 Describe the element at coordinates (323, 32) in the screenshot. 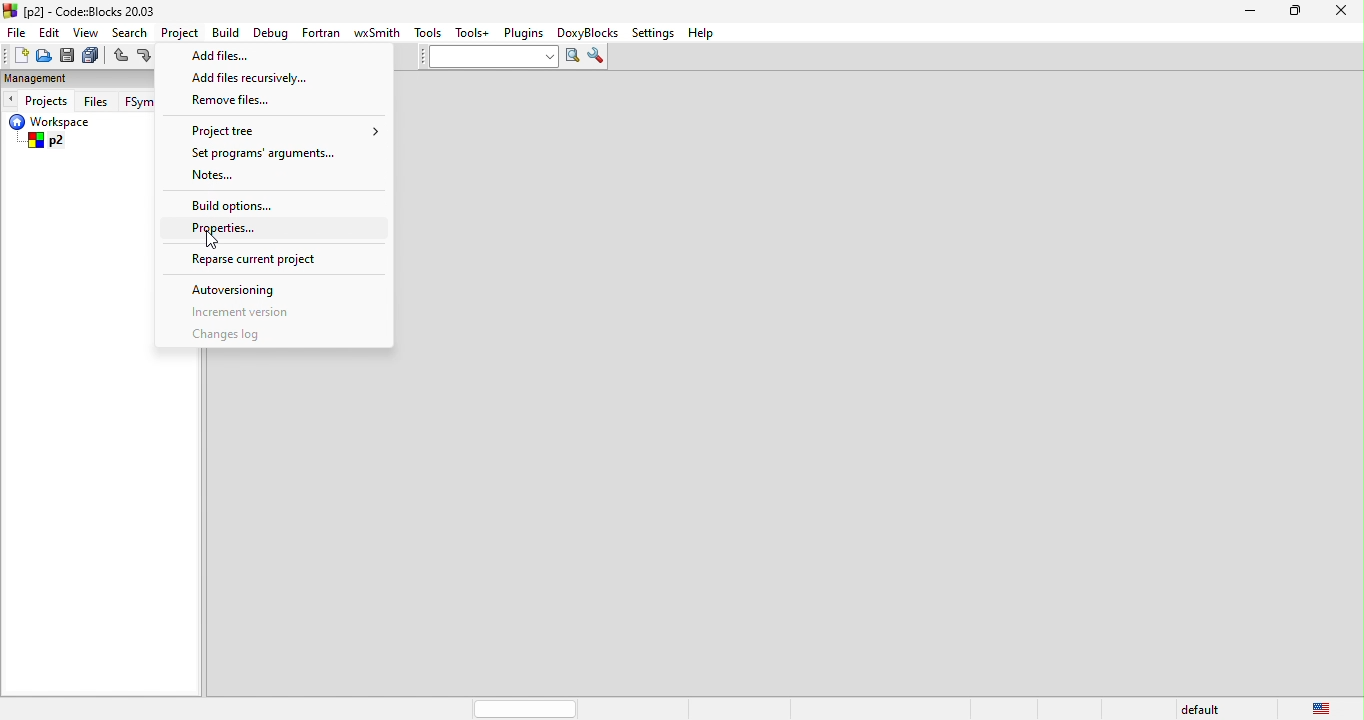

I see `fortran` at that location.